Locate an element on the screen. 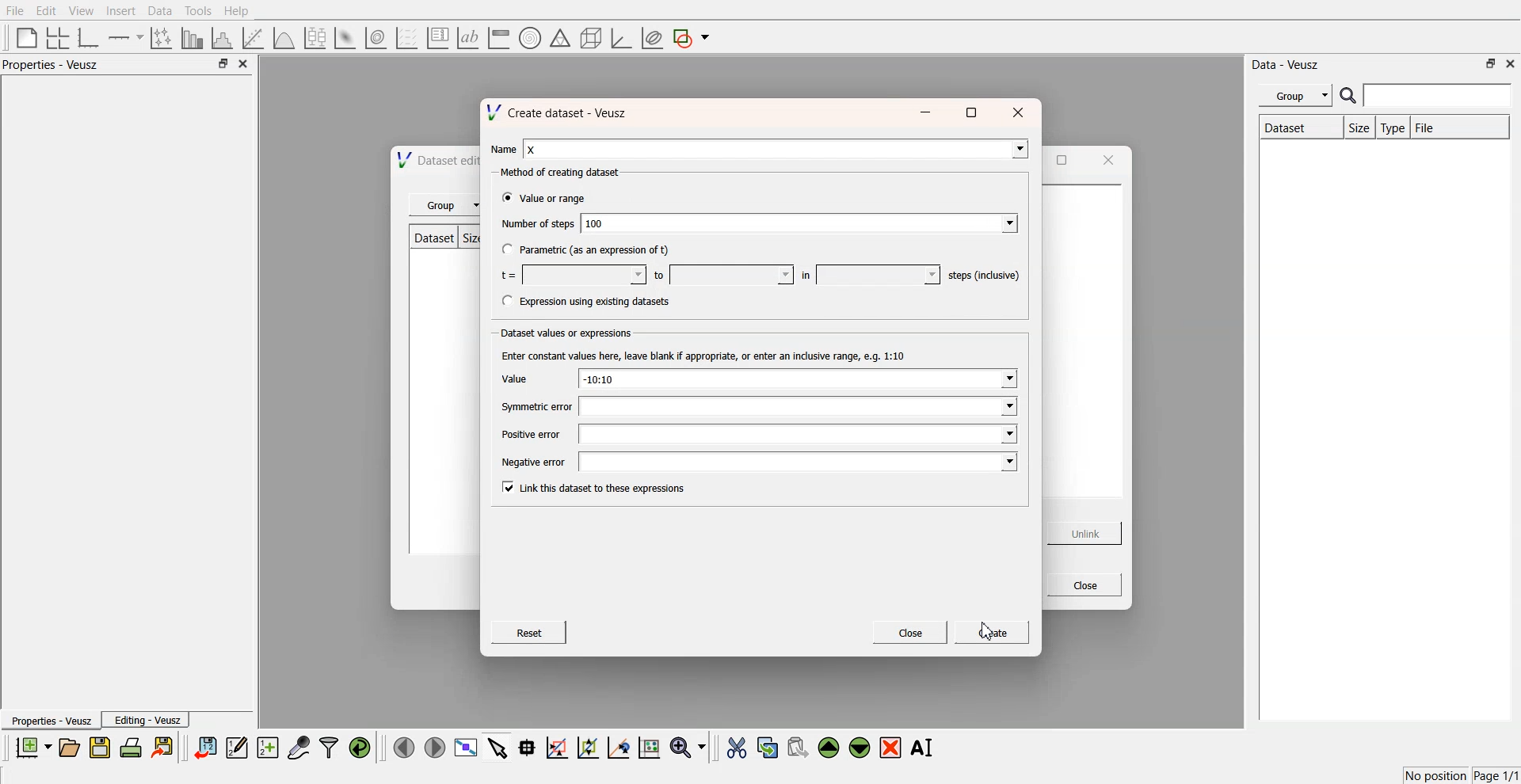 The height and width of the screenshot is (784, 1521). Data is located at coordinates (159, 11).